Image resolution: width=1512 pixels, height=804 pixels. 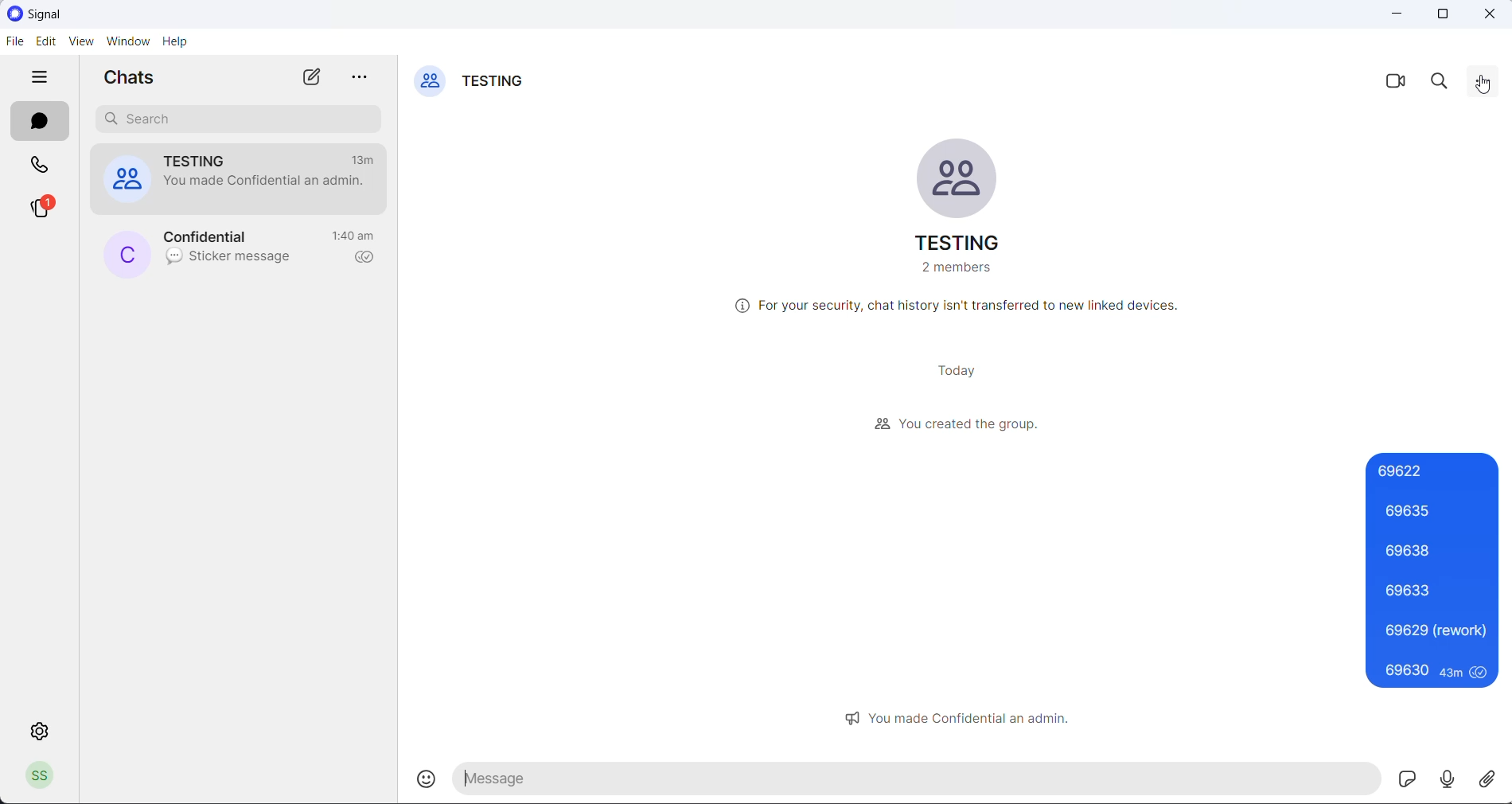 I want to click on profile, so click(x=45, y=775).